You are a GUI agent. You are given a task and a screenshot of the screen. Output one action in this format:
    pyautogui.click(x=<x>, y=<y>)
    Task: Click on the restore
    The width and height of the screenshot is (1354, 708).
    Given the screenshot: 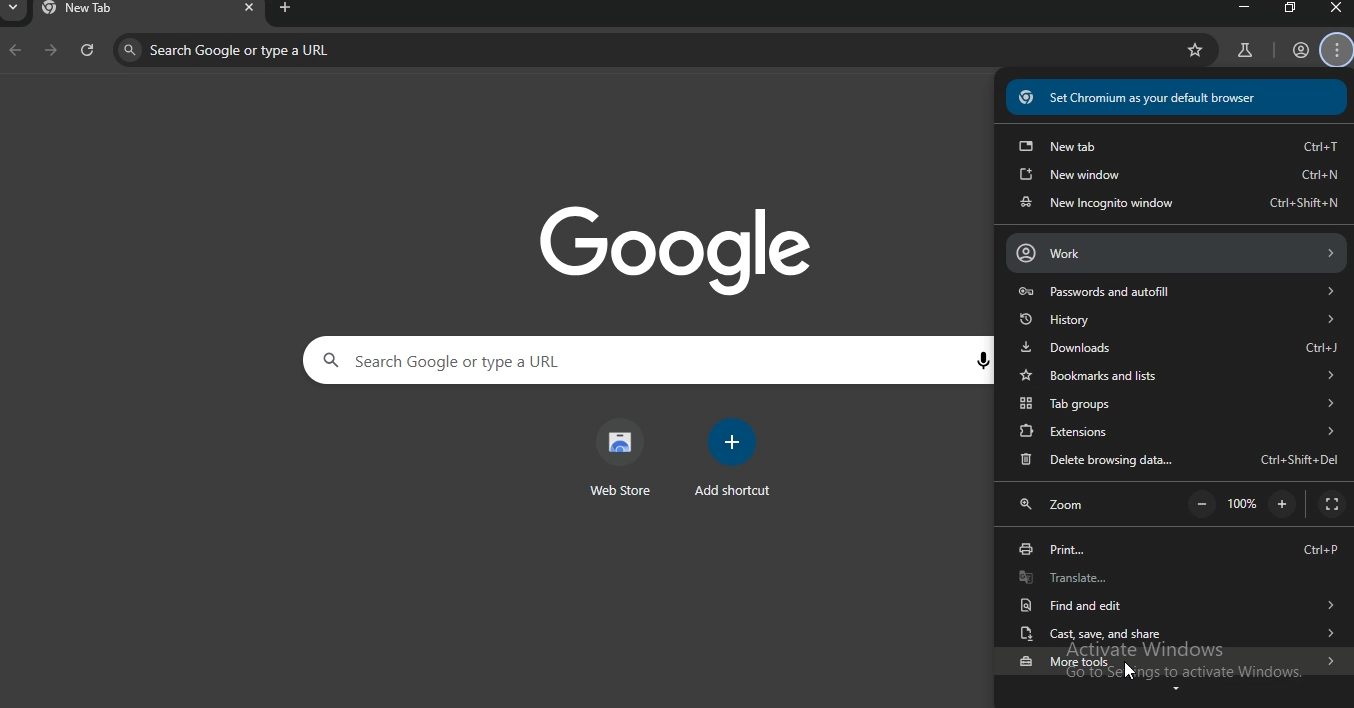 What is the action you would take?
    pyautogui.click(x=1291, y=8)
    